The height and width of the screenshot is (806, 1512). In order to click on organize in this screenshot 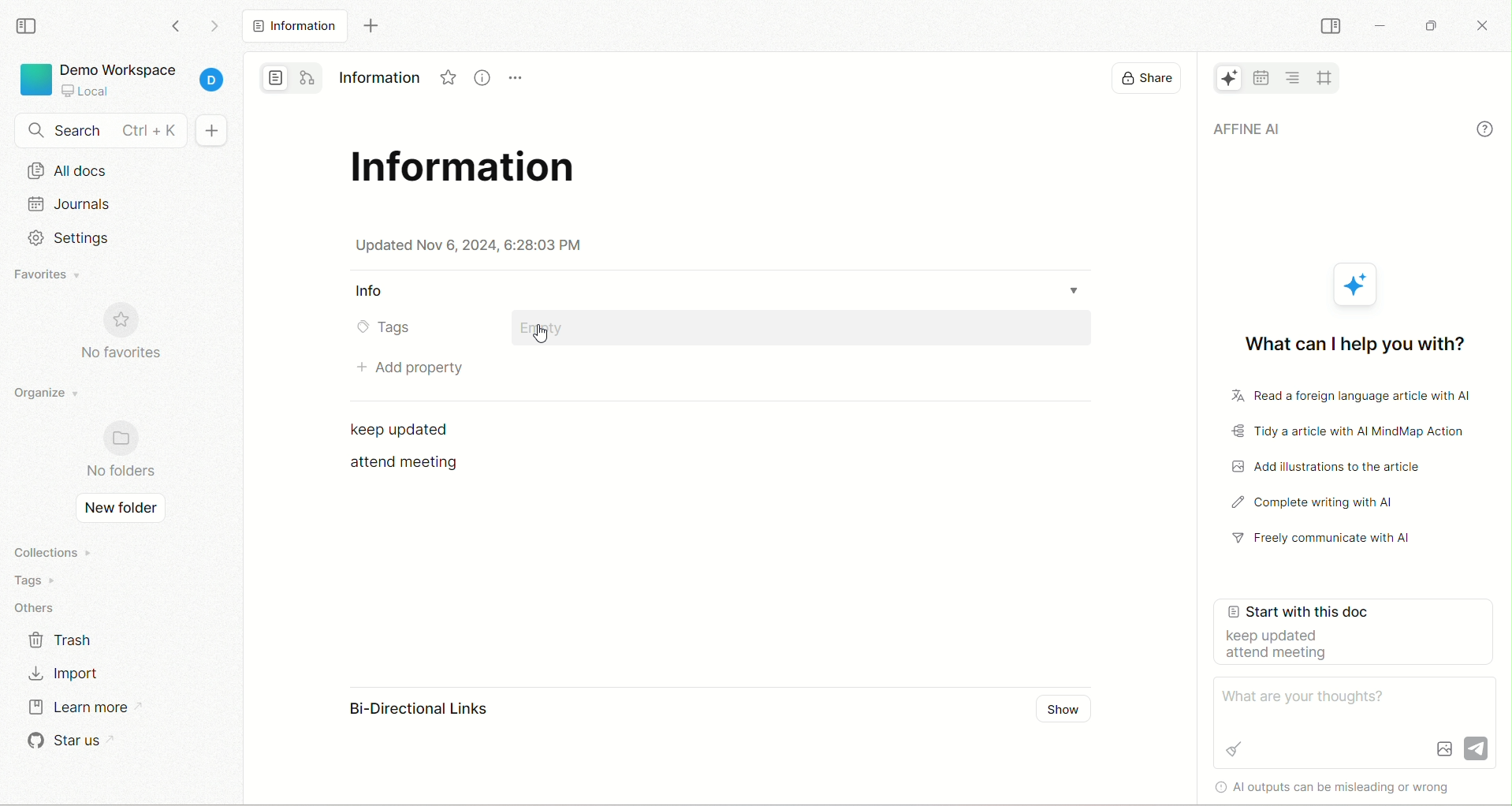, I will do `click(45, 398)`.